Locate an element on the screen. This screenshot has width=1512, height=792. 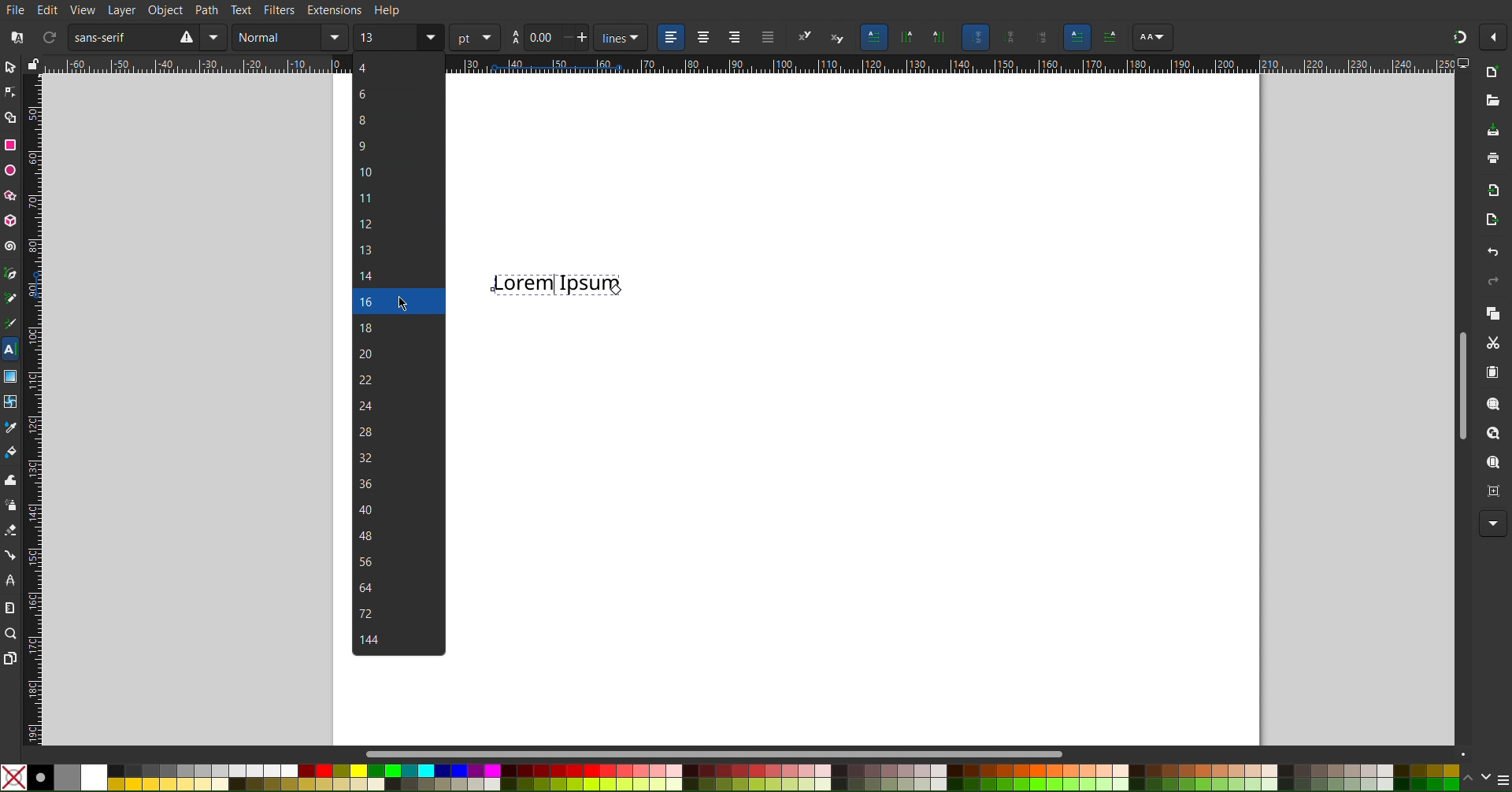
Spiral Tool is located at coordinates (10, 245).